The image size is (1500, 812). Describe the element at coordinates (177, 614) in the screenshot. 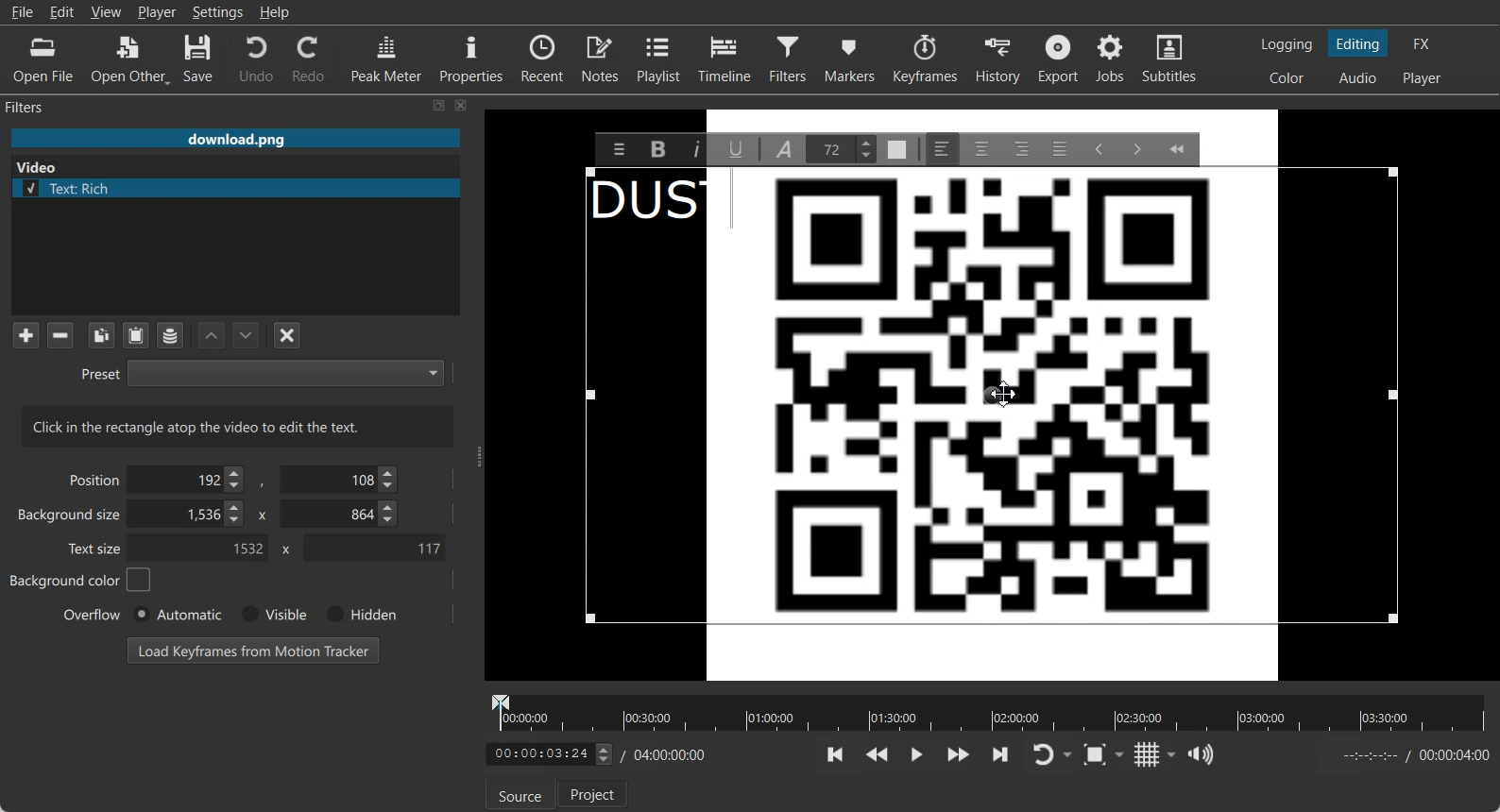

I see `Automatic` at that location.